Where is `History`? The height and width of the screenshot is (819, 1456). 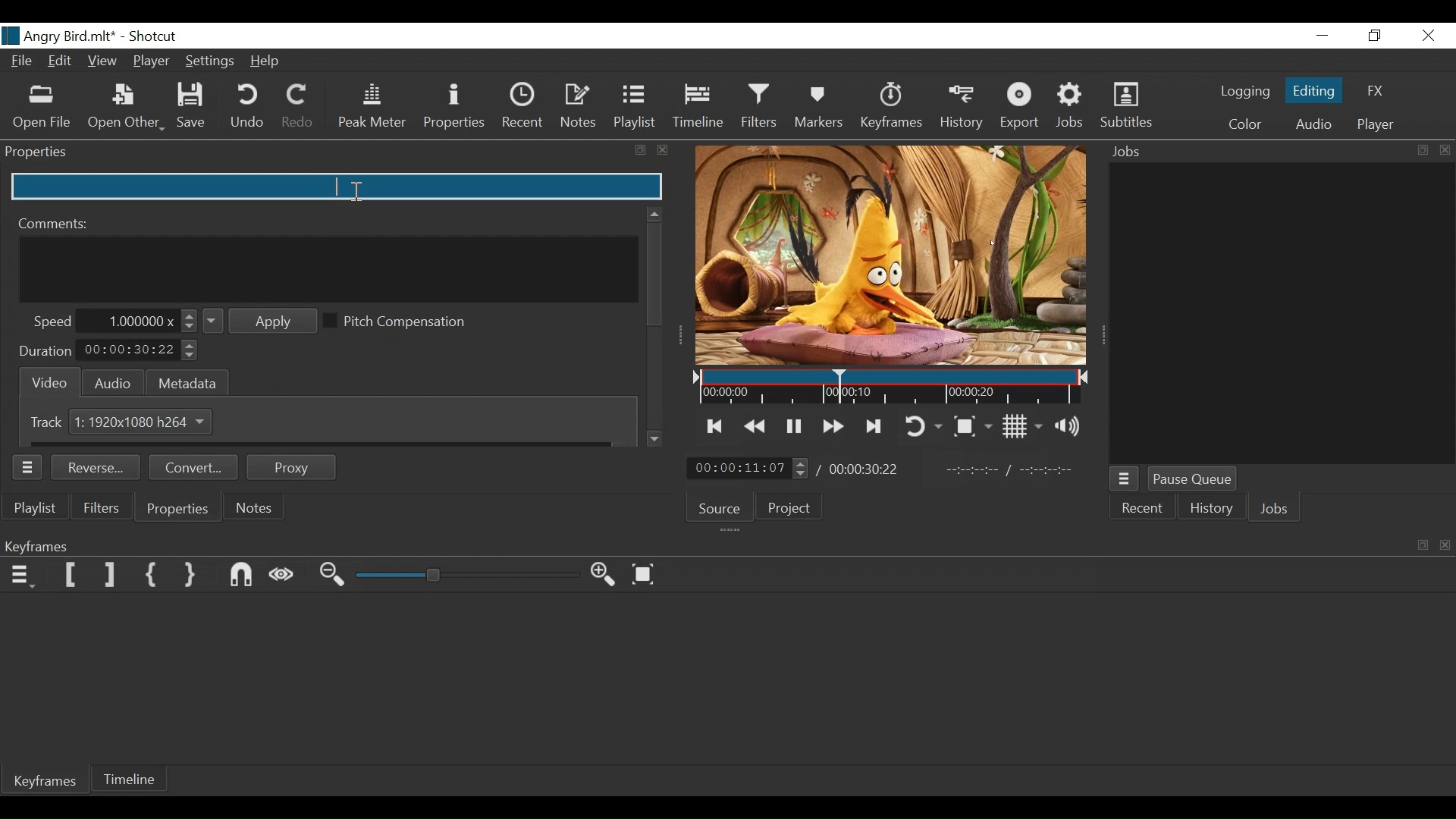 History is located at coordinates (1213, 509).